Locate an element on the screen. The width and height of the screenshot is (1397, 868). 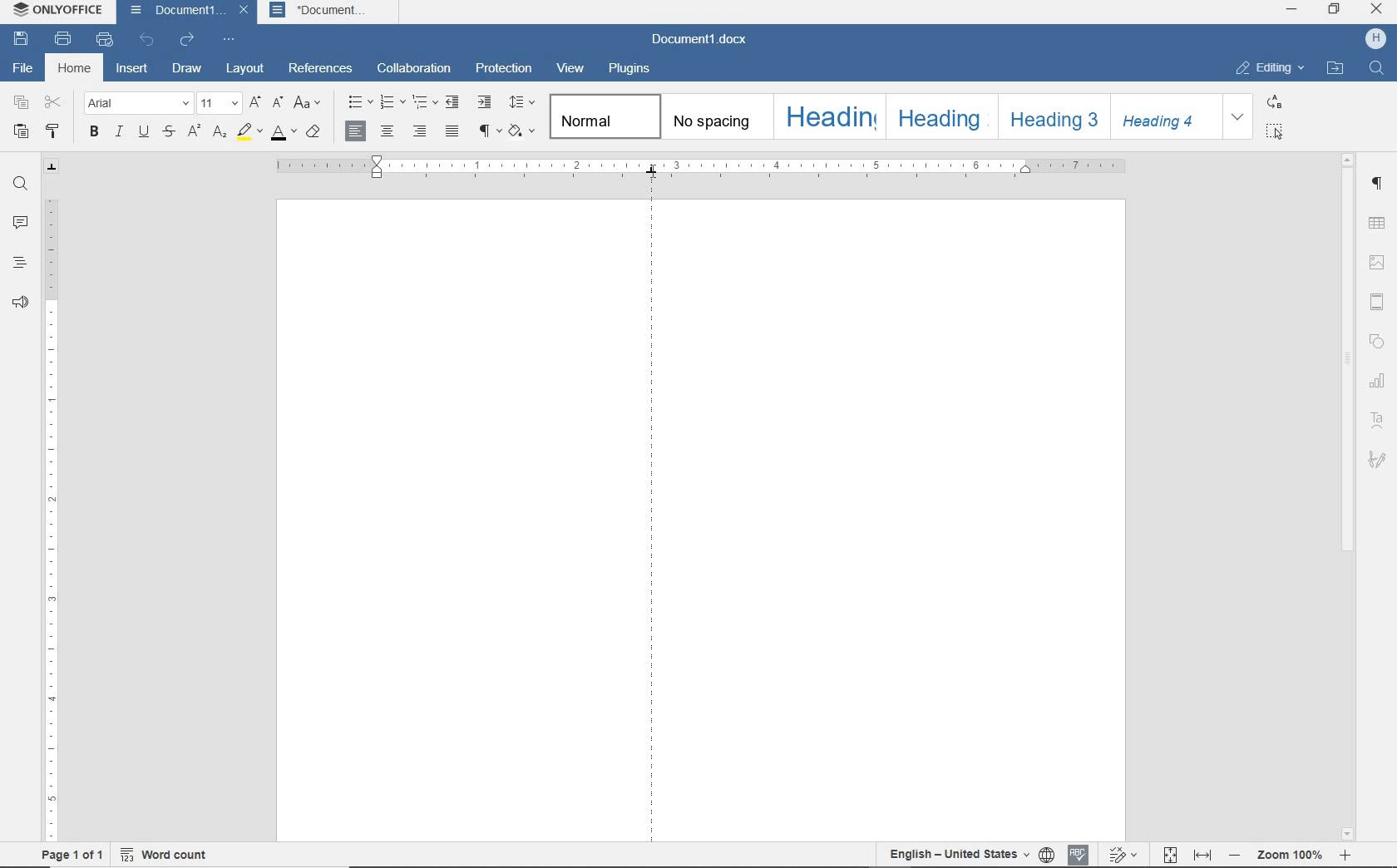
PARAGRAPH SETTINGS is located at coordinates (1380, 184).